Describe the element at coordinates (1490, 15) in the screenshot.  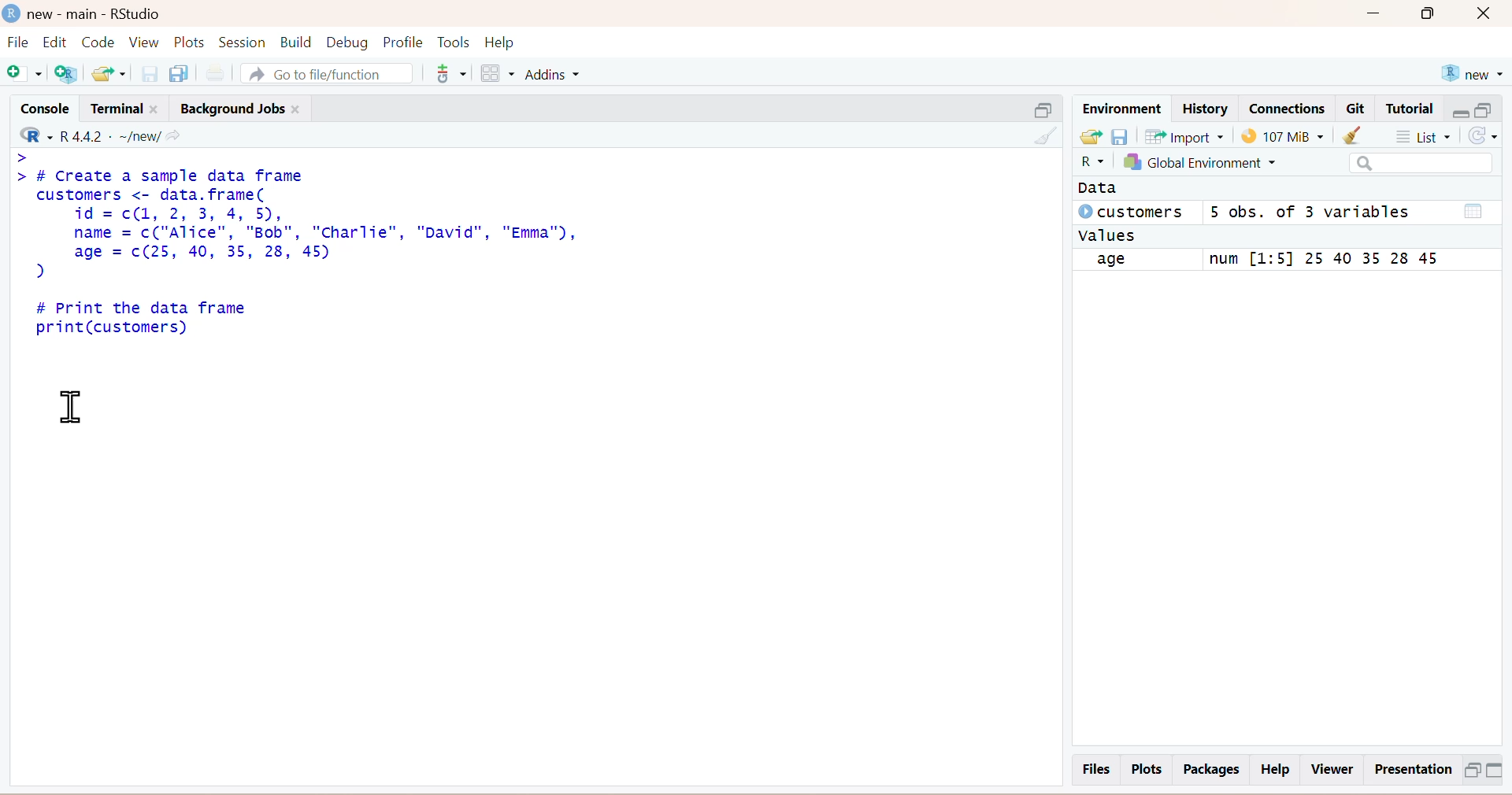
I see `close` at that location.